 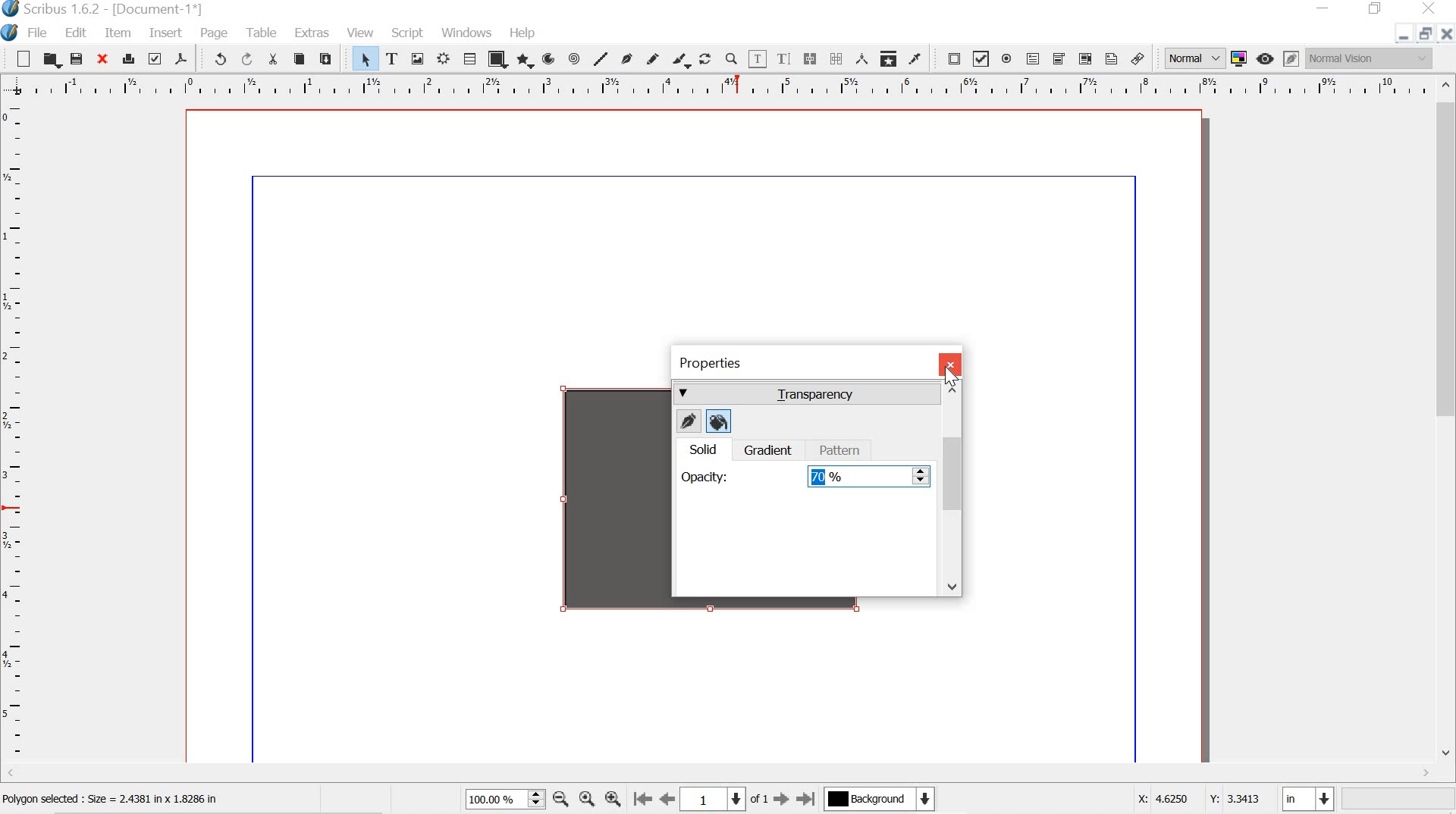 What do you see at coordinates (733, 59) in the screenshot?
I see `zoom in or out` at bounding box center [733, 59].